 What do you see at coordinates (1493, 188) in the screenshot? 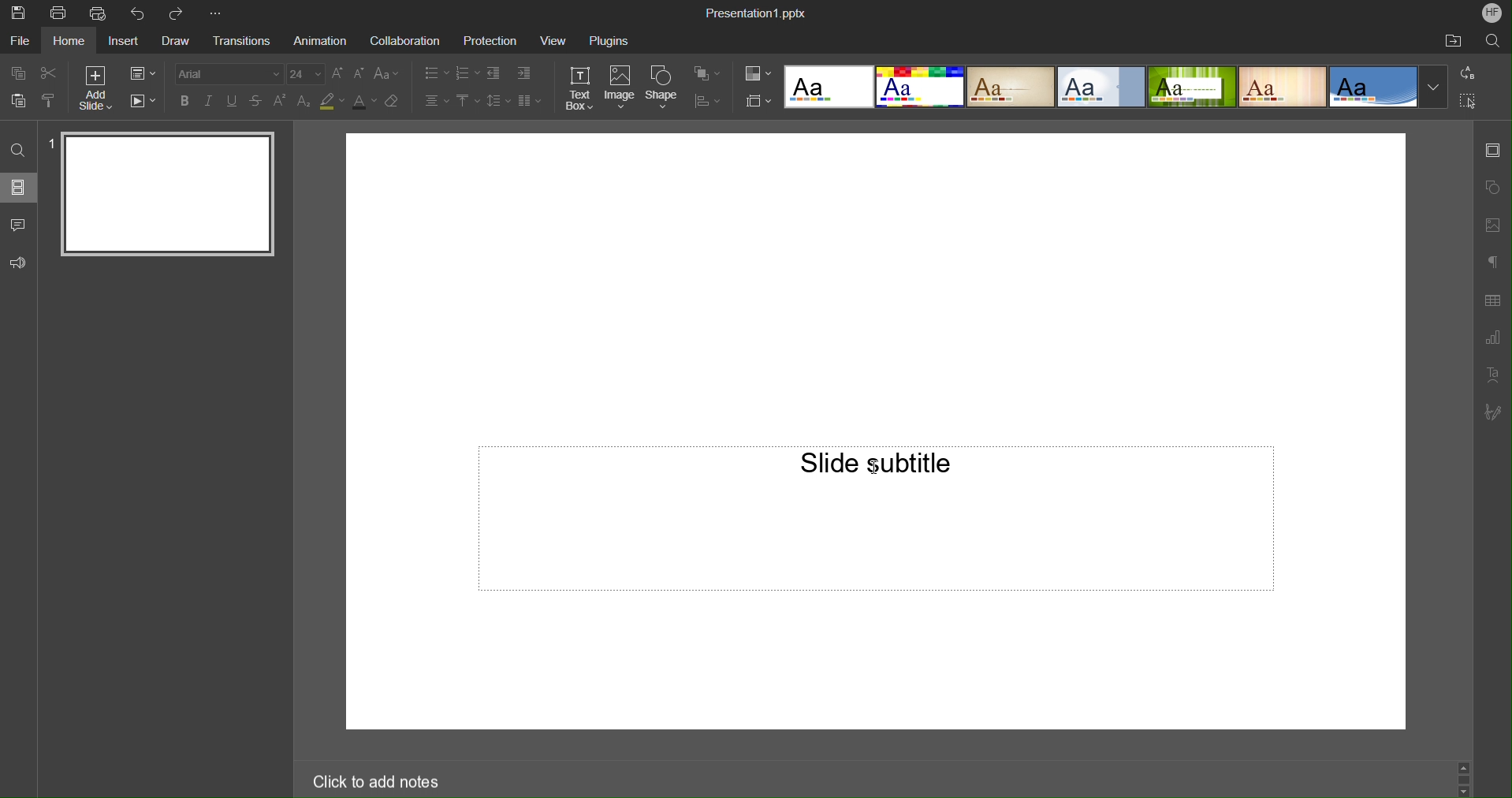
I see `Shape Settings` at bounding box center [1493, 188].